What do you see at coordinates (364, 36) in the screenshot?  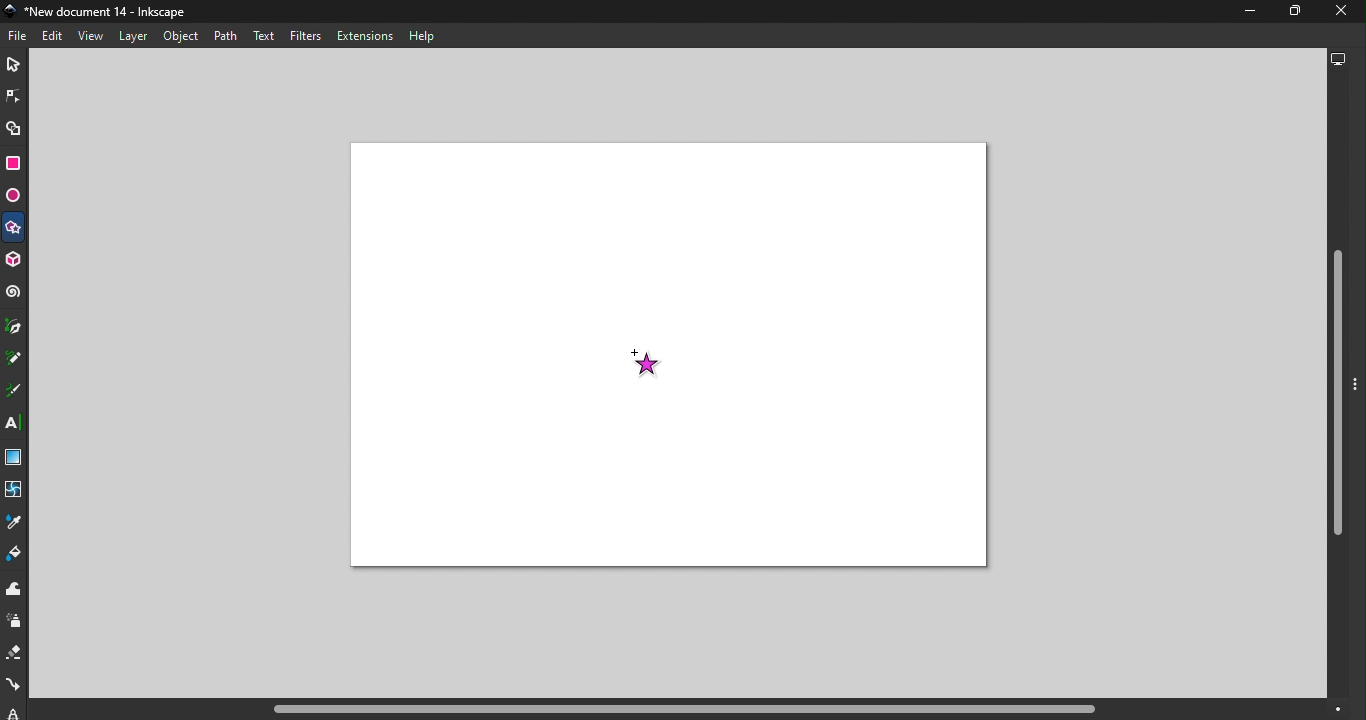 I see `Extensions` at bounding box center [364, 36].